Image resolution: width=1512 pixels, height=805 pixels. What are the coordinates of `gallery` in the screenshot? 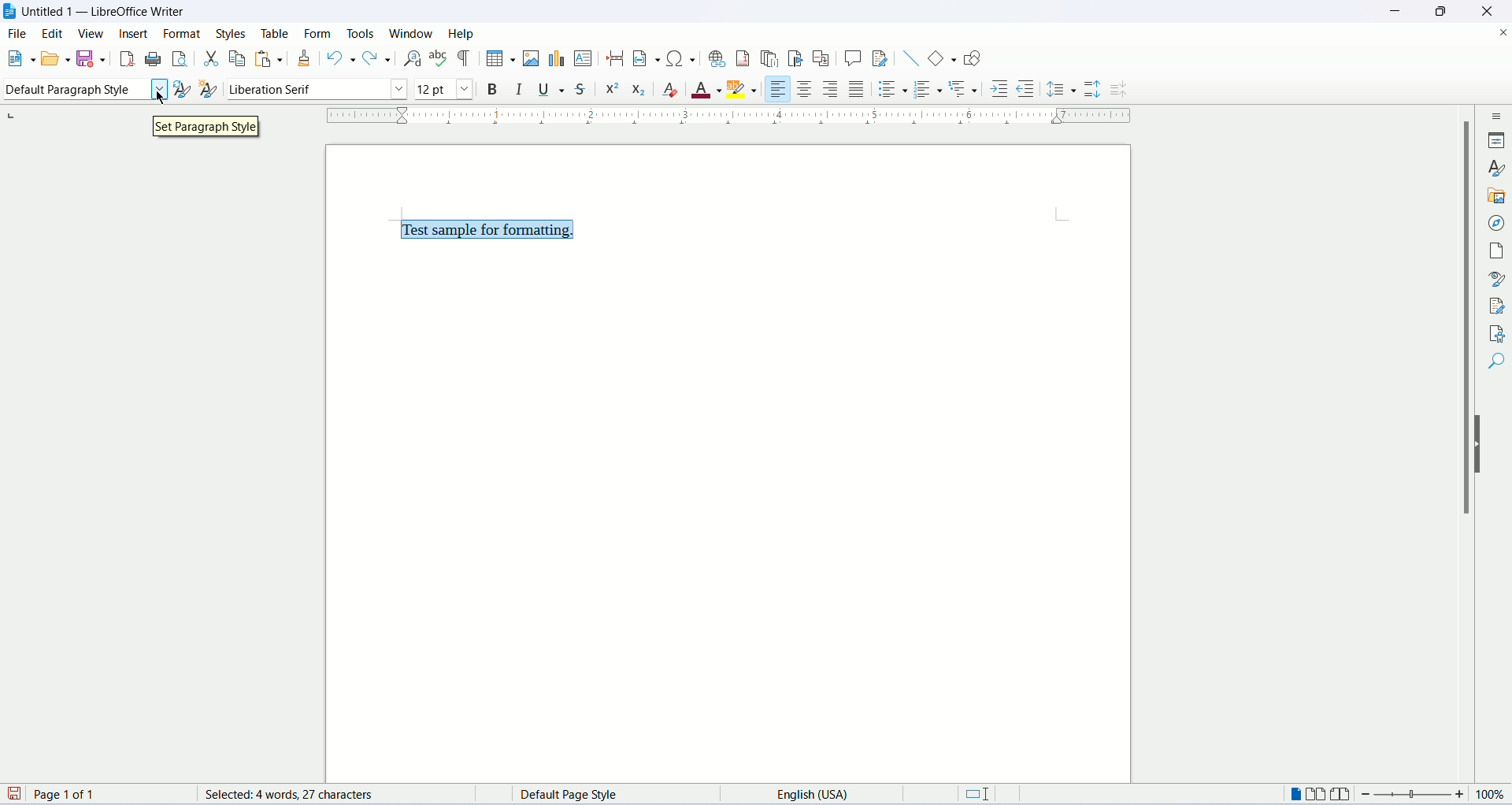 It's located at (1498, 198).